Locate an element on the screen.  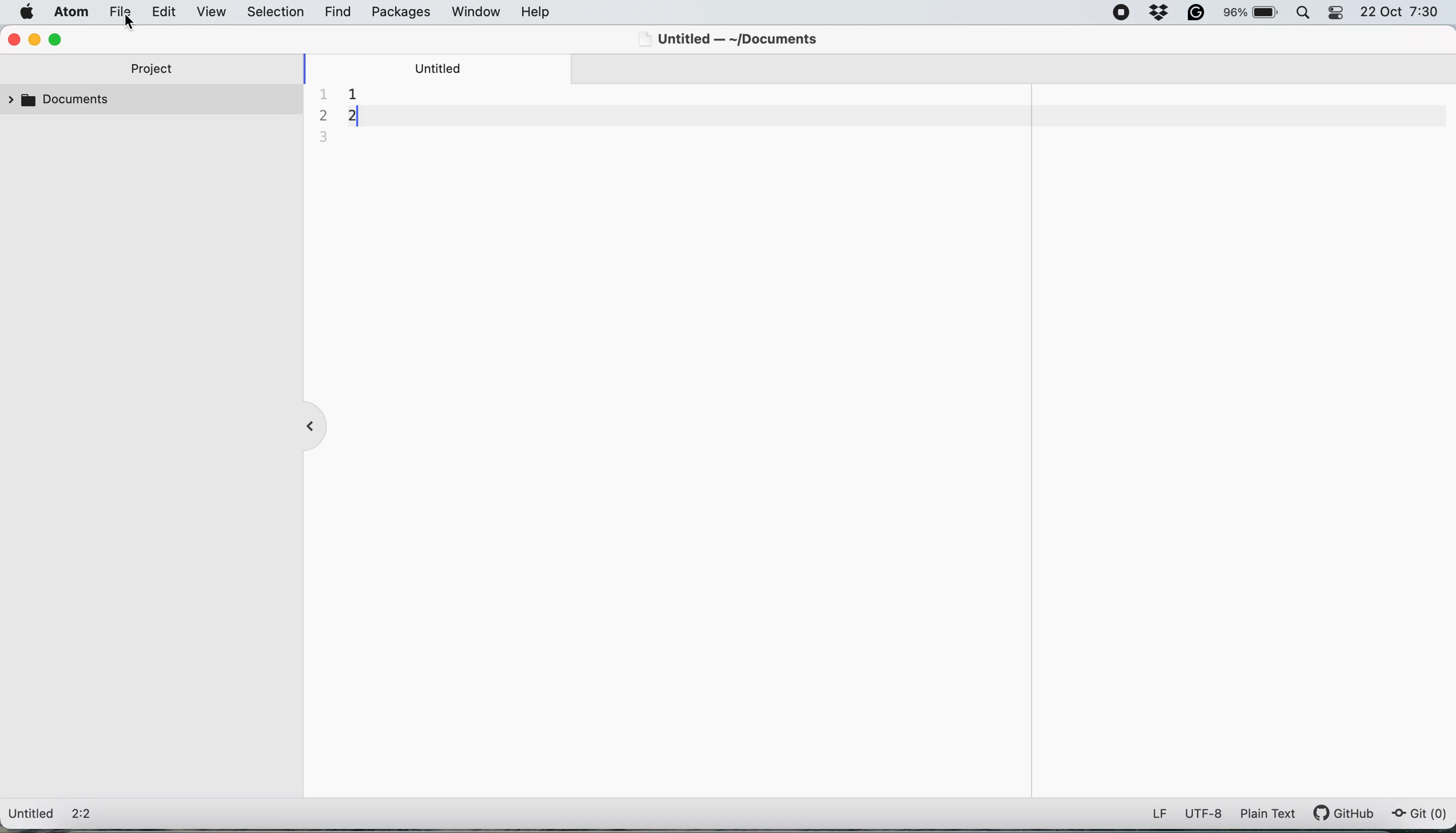
untitled is located at coordinates (443, 68).